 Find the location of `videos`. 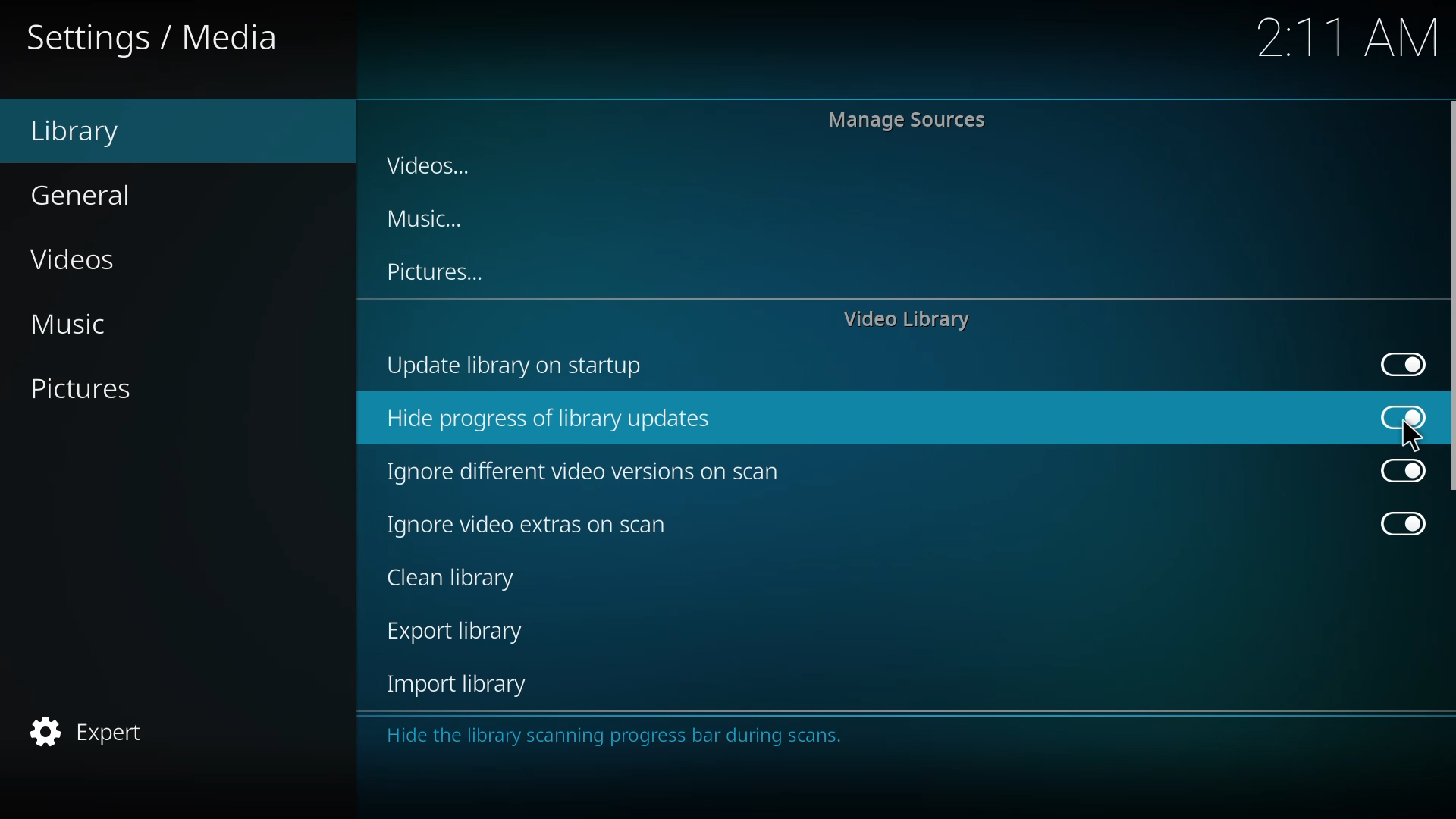

videos is located at coordinates (438, 161).